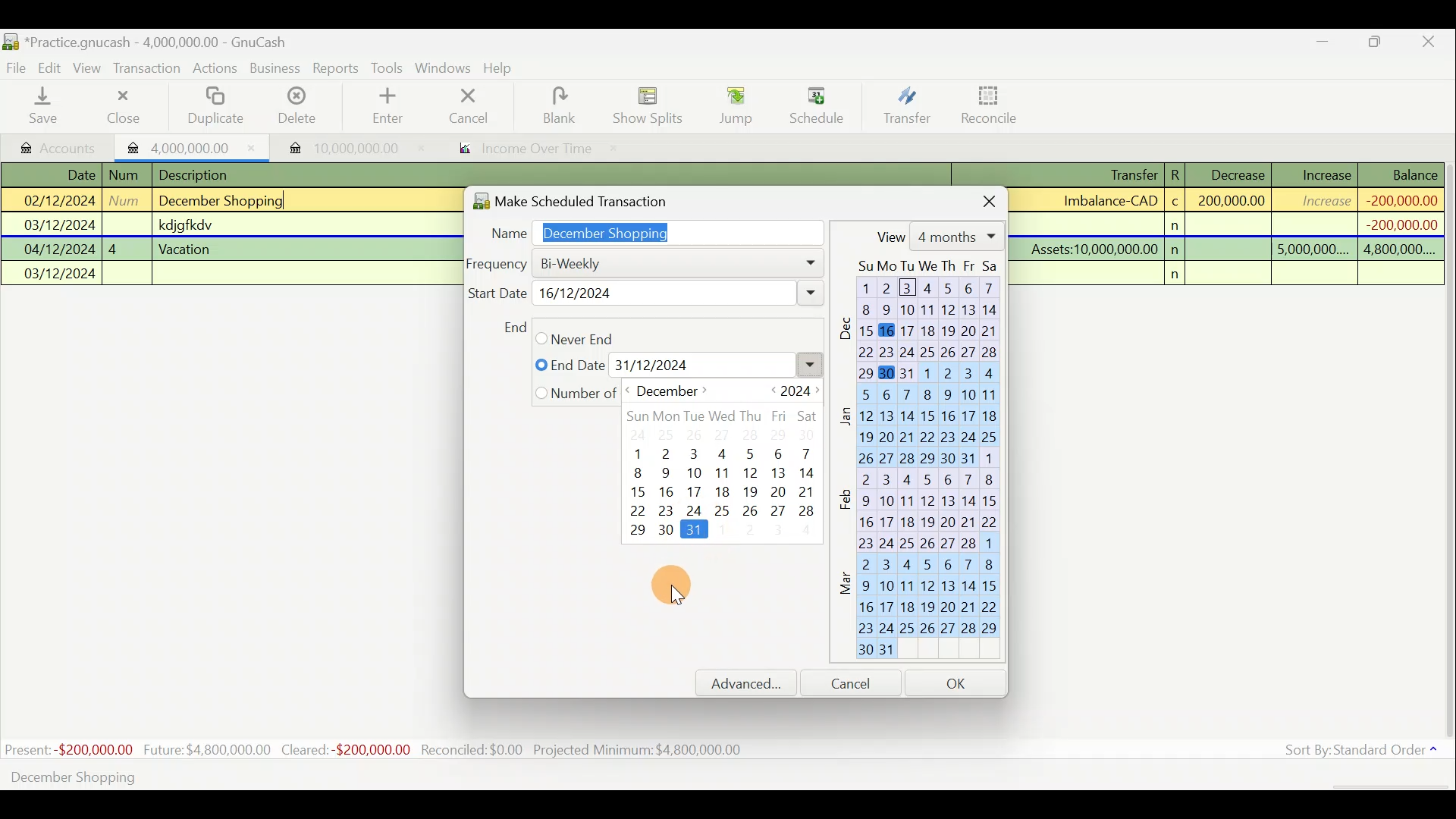 Image resolution: width=1456 pixels, height=819 pixels. I want to click on Blank, so click(557, 106).